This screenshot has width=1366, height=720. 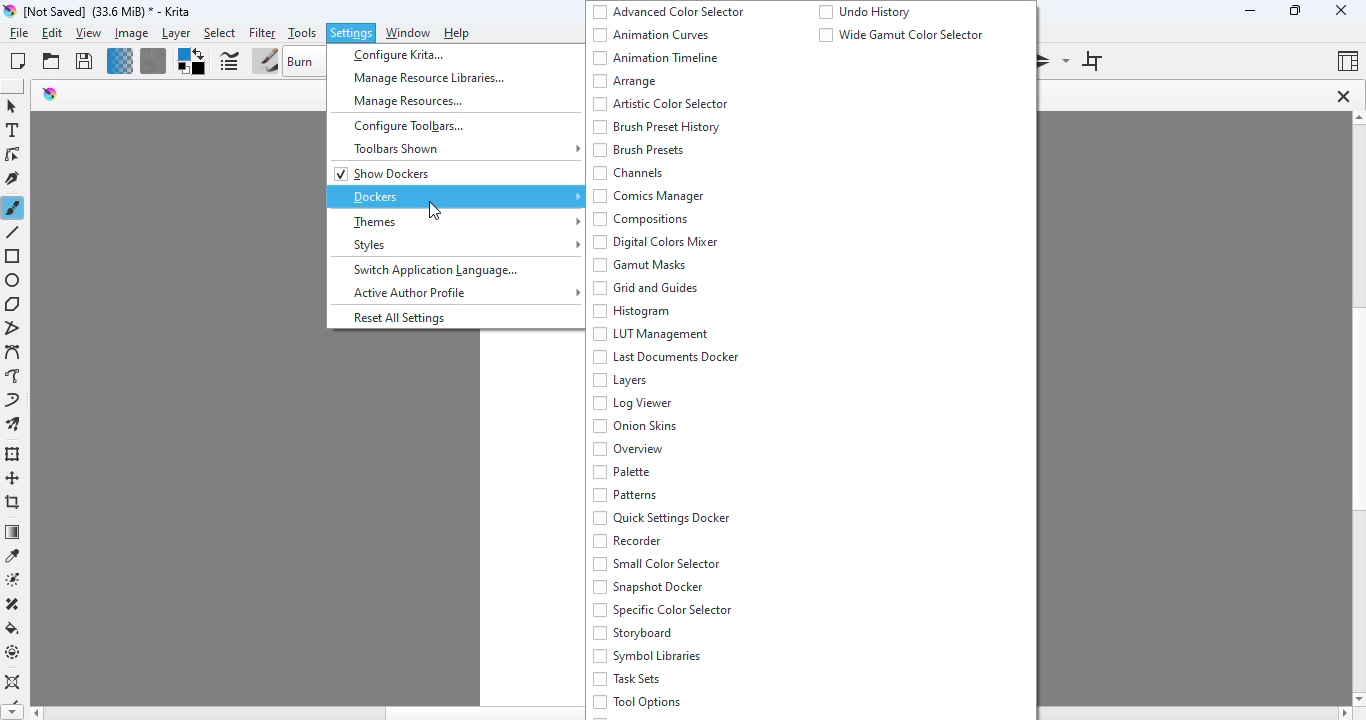 I want to click on grid and guides, so click(x=645, y=288).